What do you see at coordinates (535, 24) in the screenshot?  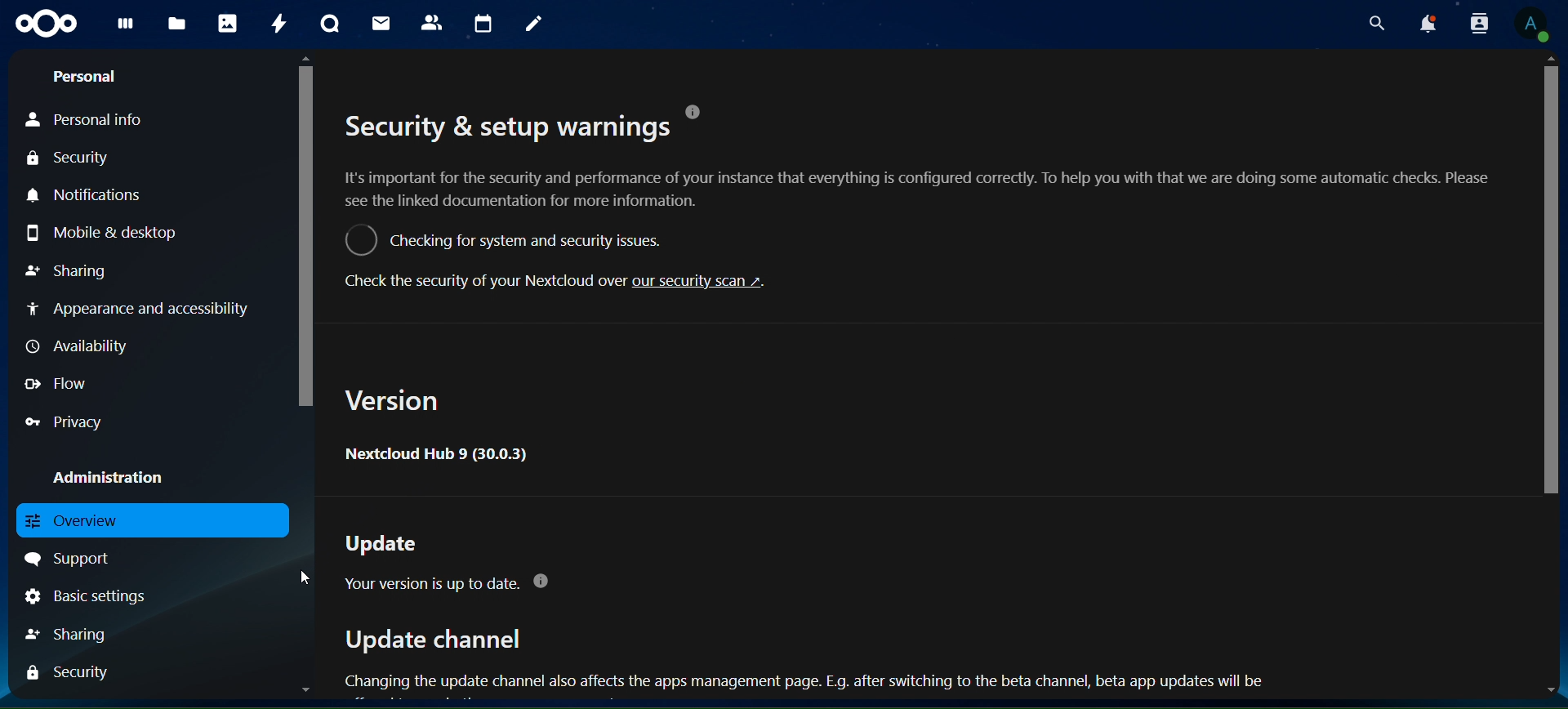 I see `notes` at bounding box center [535, 24].